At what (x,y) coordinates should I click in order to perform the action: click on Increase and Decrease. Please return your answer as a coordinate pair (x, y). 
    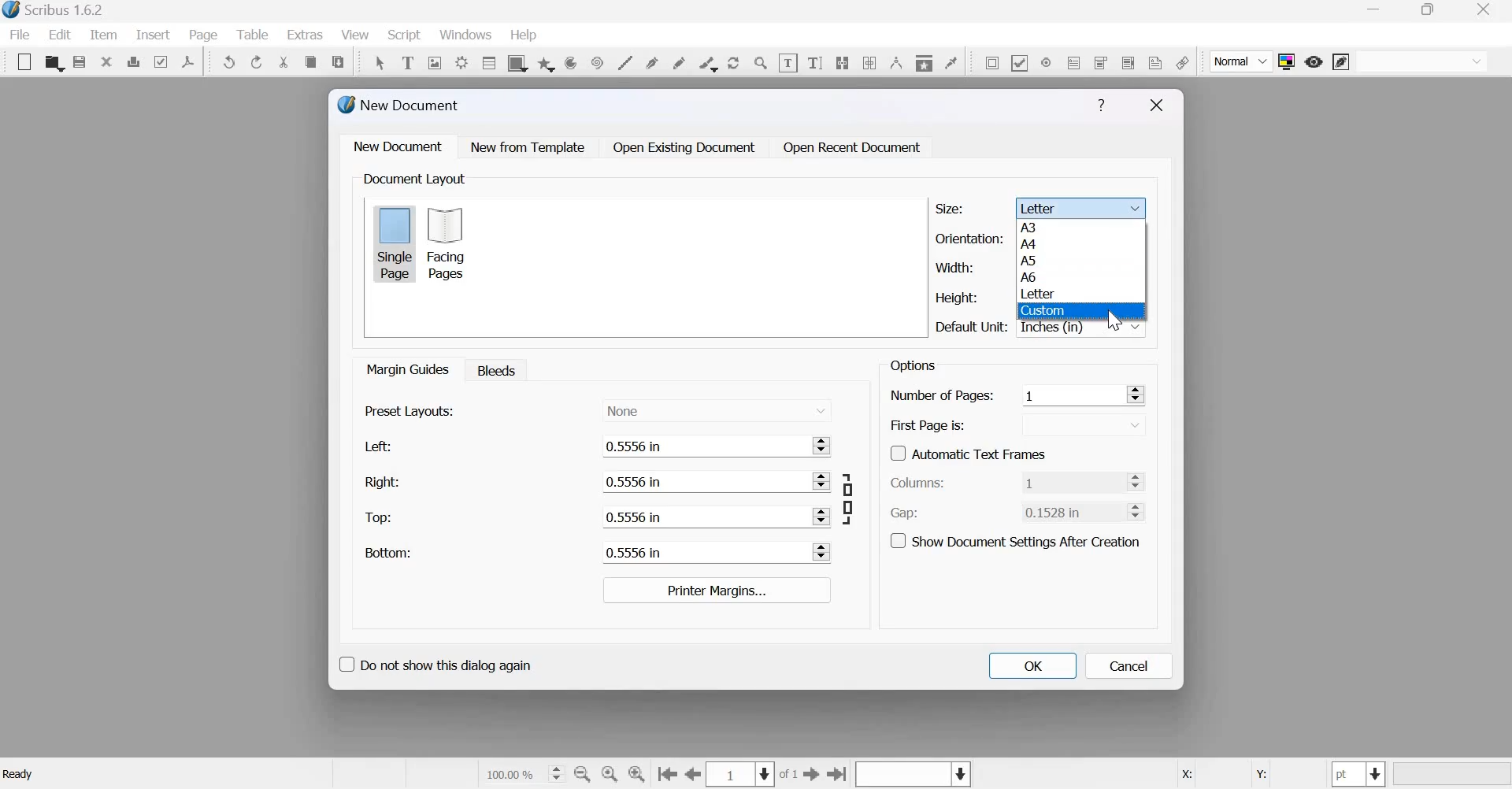
    Looking at the image, I should click on (821, 481).